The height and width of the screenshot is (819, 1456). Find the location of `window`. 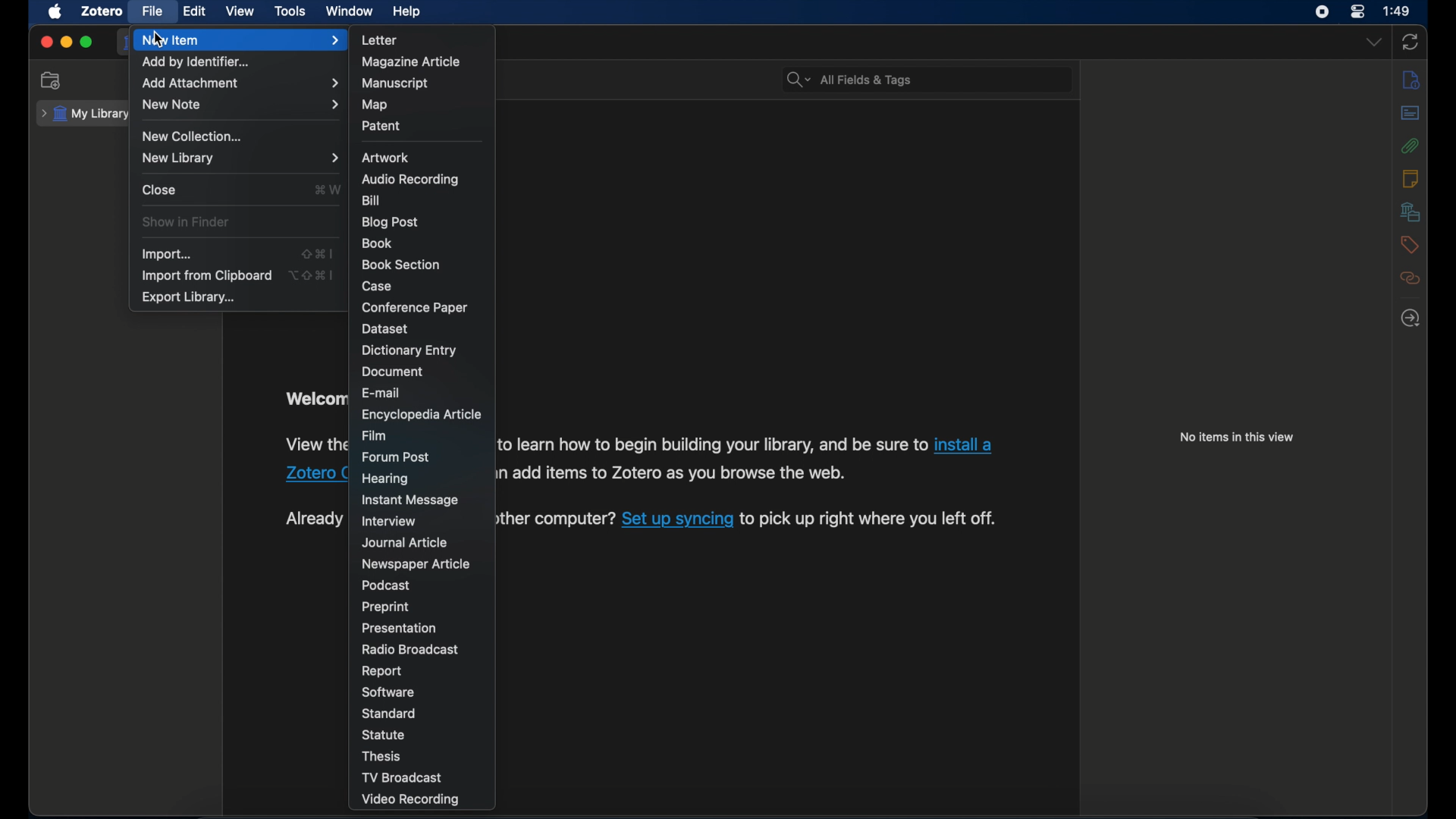

window is located at coordinates (350, 11).